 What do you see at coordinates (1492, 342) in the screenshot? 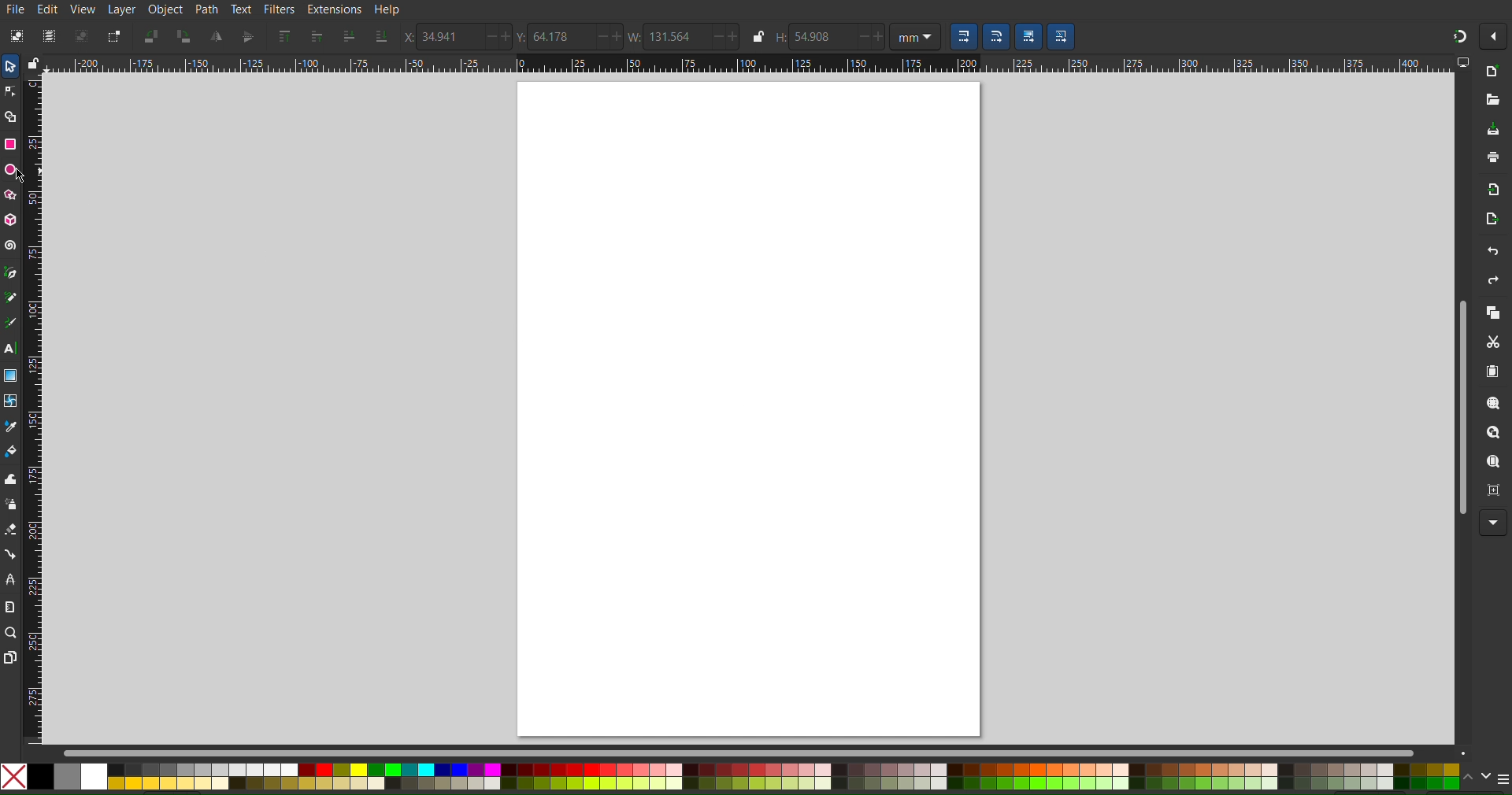
I see `Cut` at bounding box center [1492, 342].